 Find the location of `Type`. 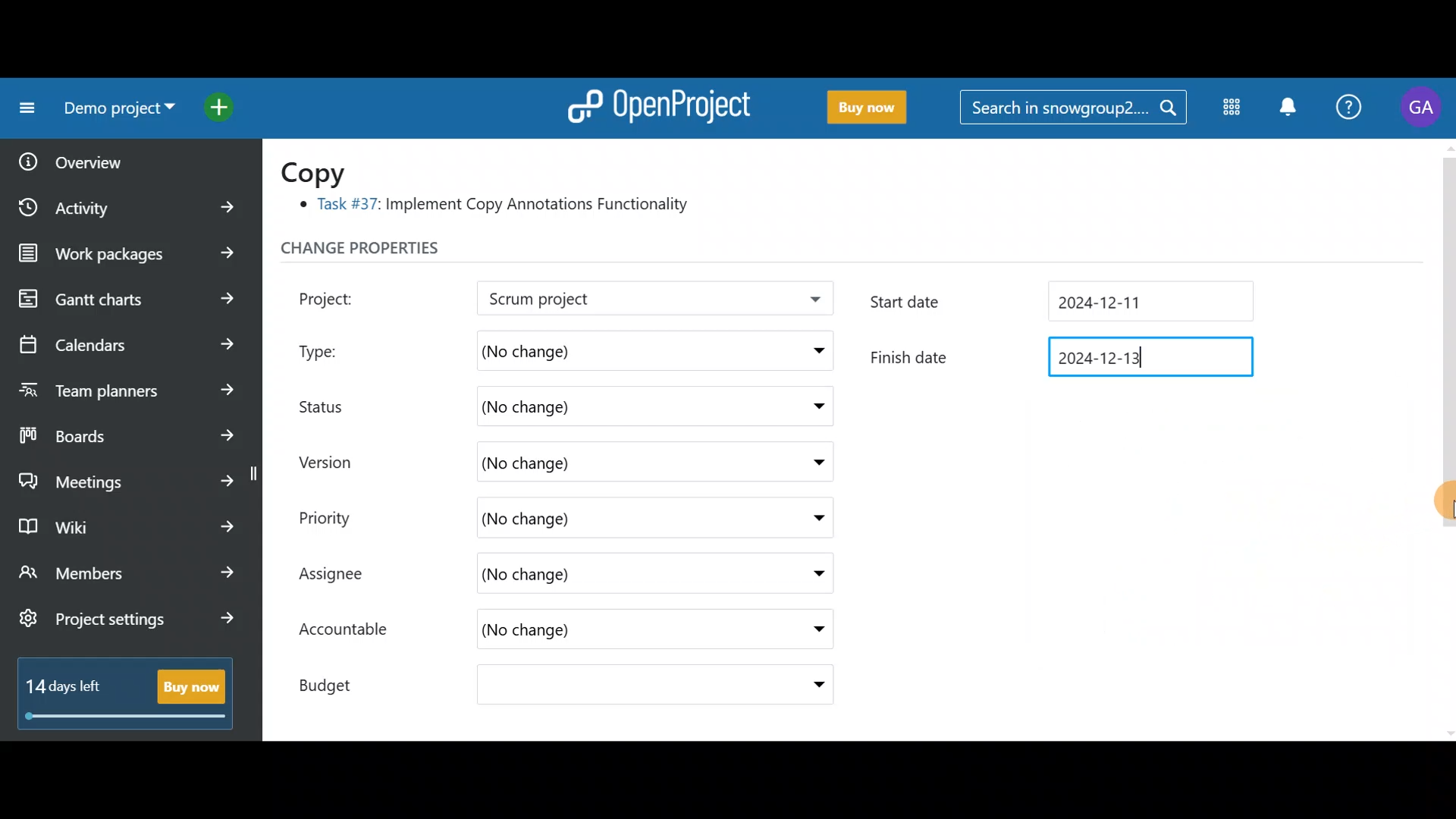

Type is located at coordinates (335, 347).